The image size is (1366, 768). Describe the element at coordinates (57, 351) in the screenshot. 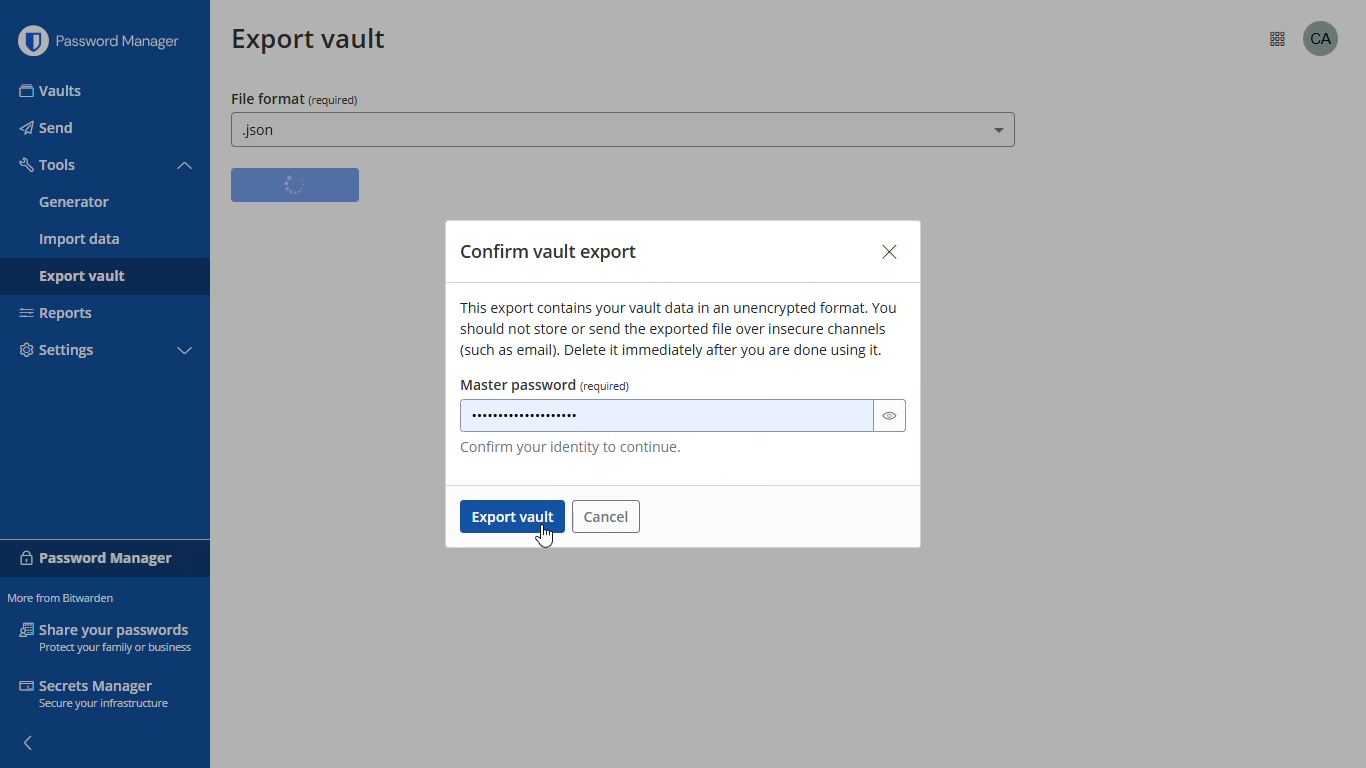

I see `settings` at that location.